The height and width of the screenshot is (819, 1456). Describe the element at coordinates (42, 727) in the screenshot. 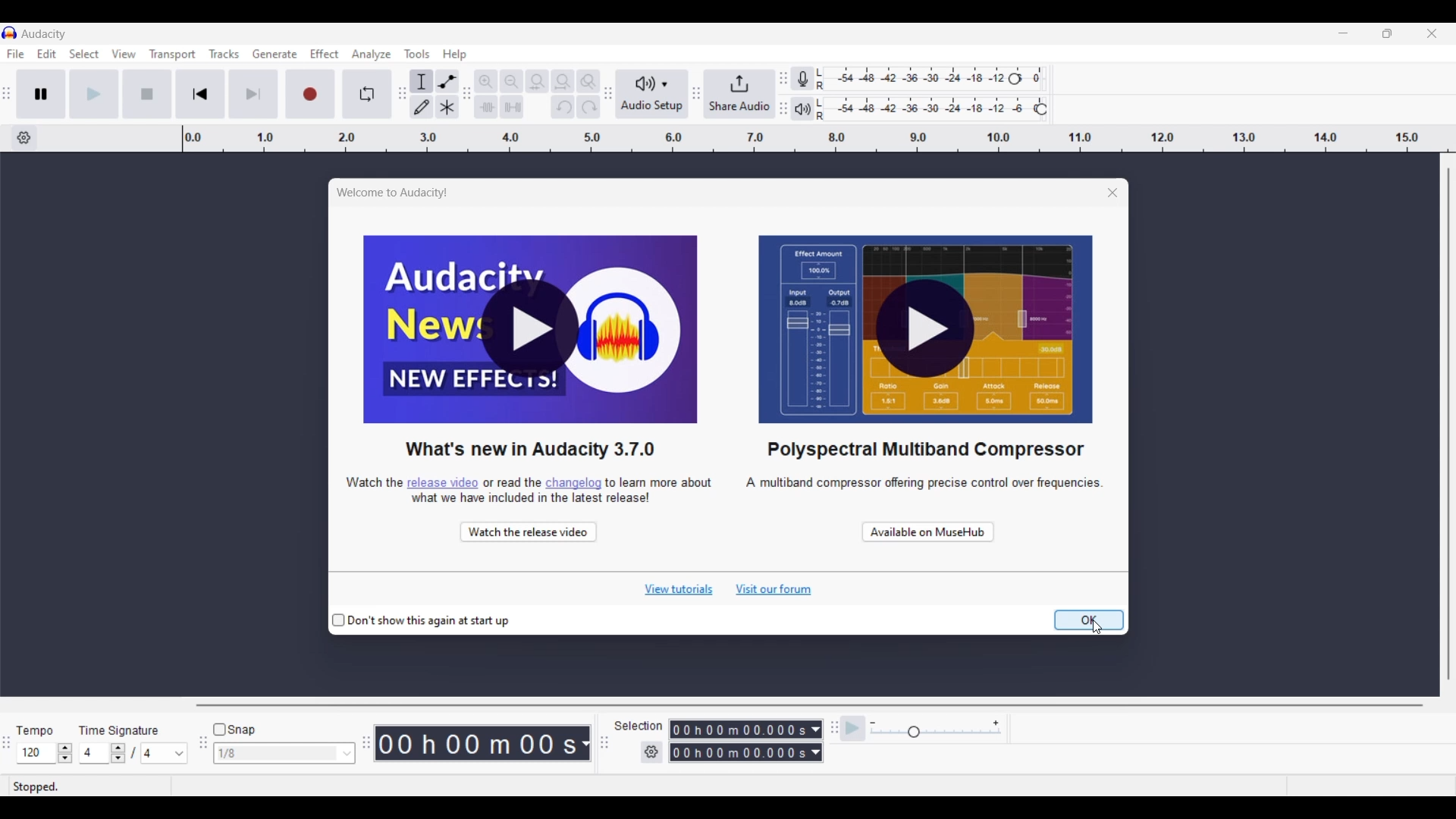

I see `Tempo` at that location.